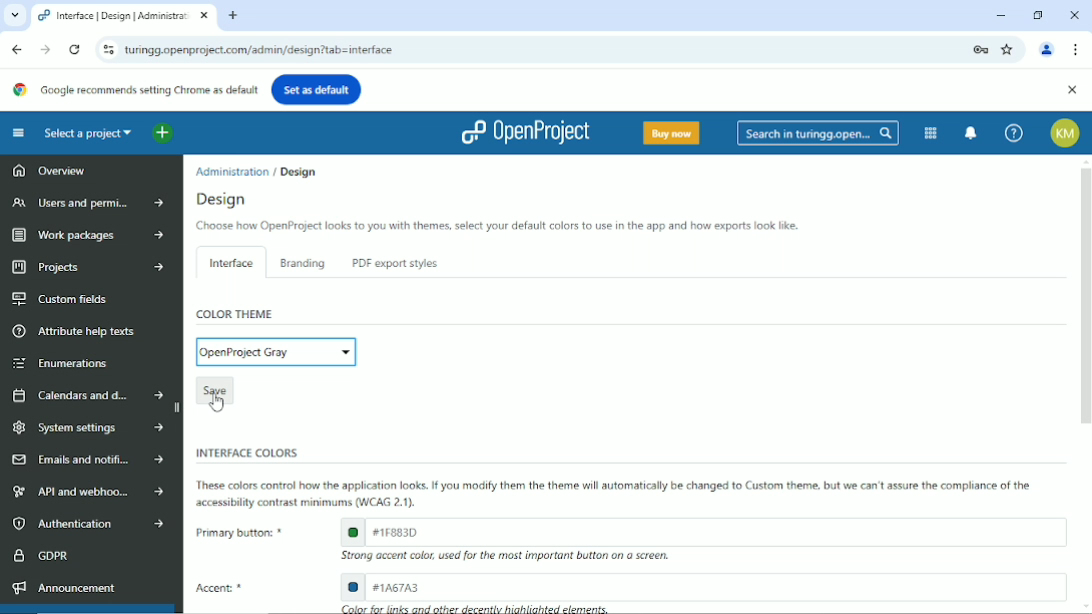 This screenshot has height=614, width=1092. What do you see at coordinates (1076, 50) in the screenshot?
I see `Customize and control google chrome` at bounding box center [1076, 50].